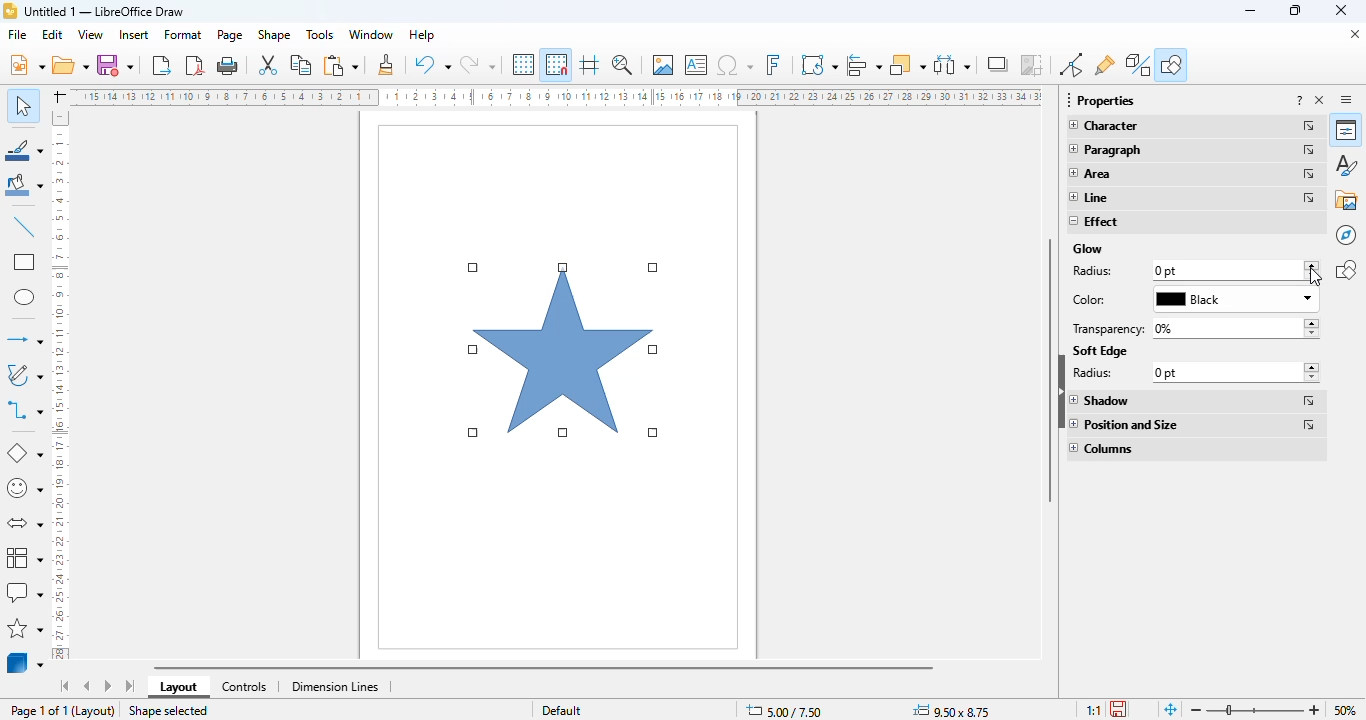  I want to click on close document, so click(1352, 33).